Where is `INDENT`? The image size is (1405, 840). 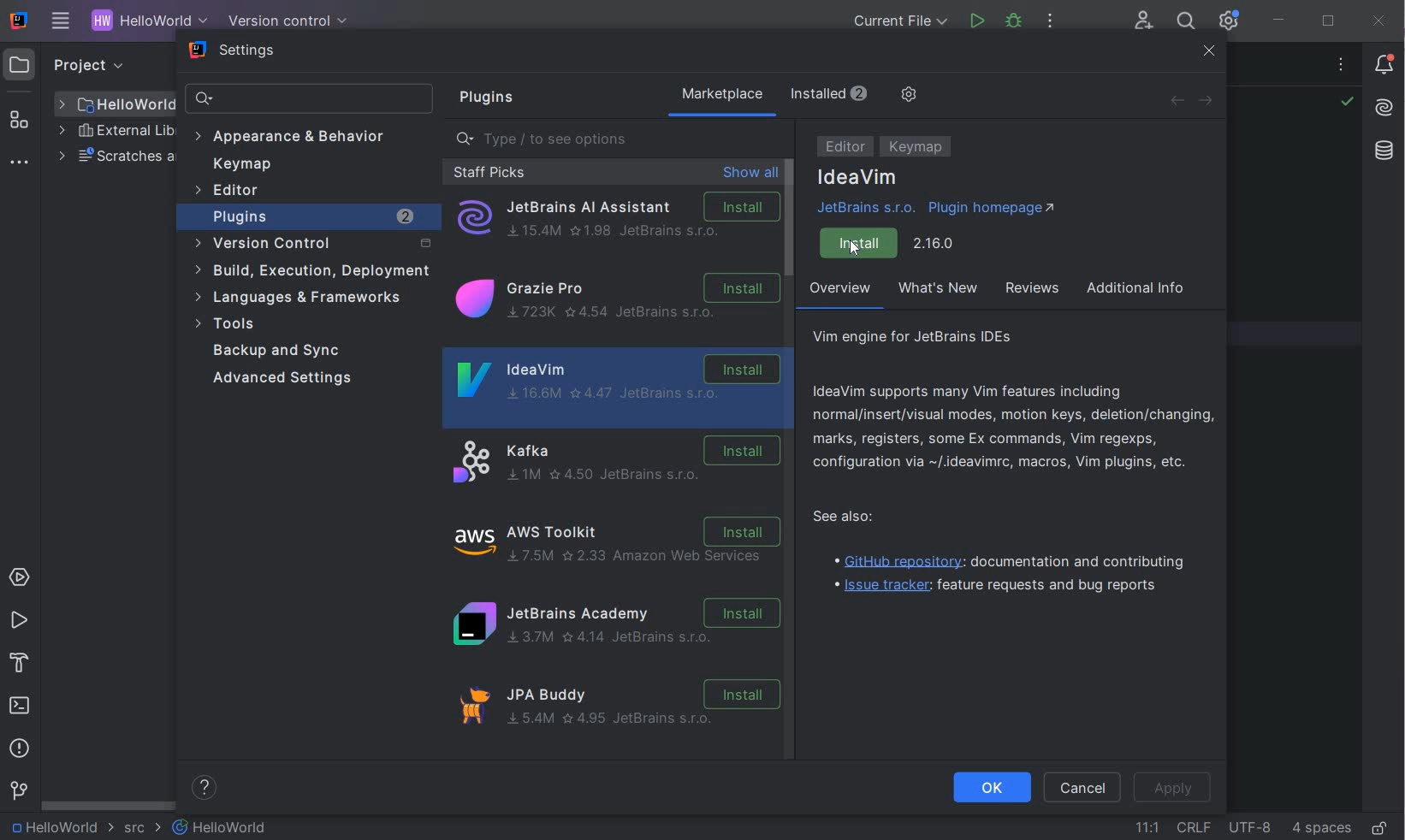 INDENT is located at coordinates (1320, 827).